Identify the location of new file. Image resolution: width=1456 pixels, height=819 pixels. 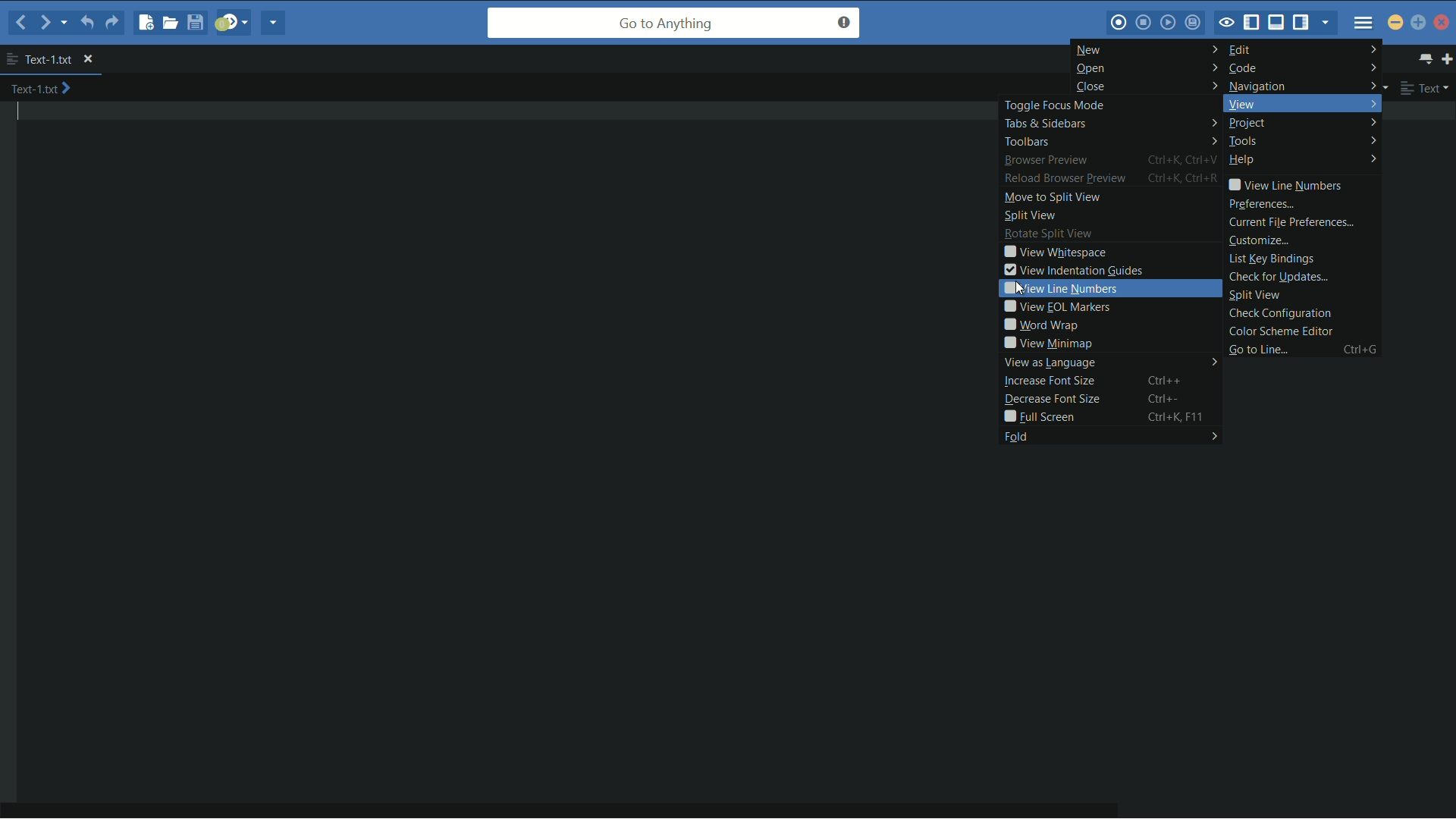
(143, 24).